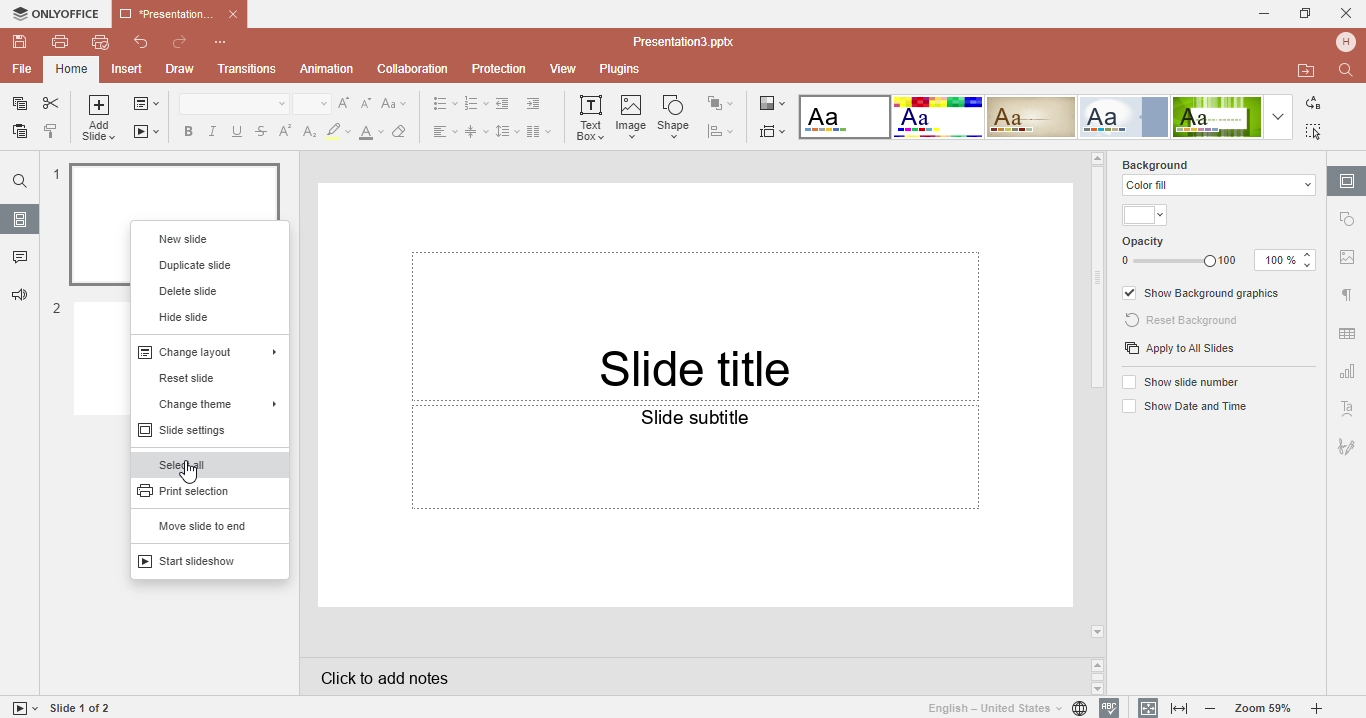  Describe the element at coordinates (261, 130) in the screenshot. I see `Strikethrough` at that location.